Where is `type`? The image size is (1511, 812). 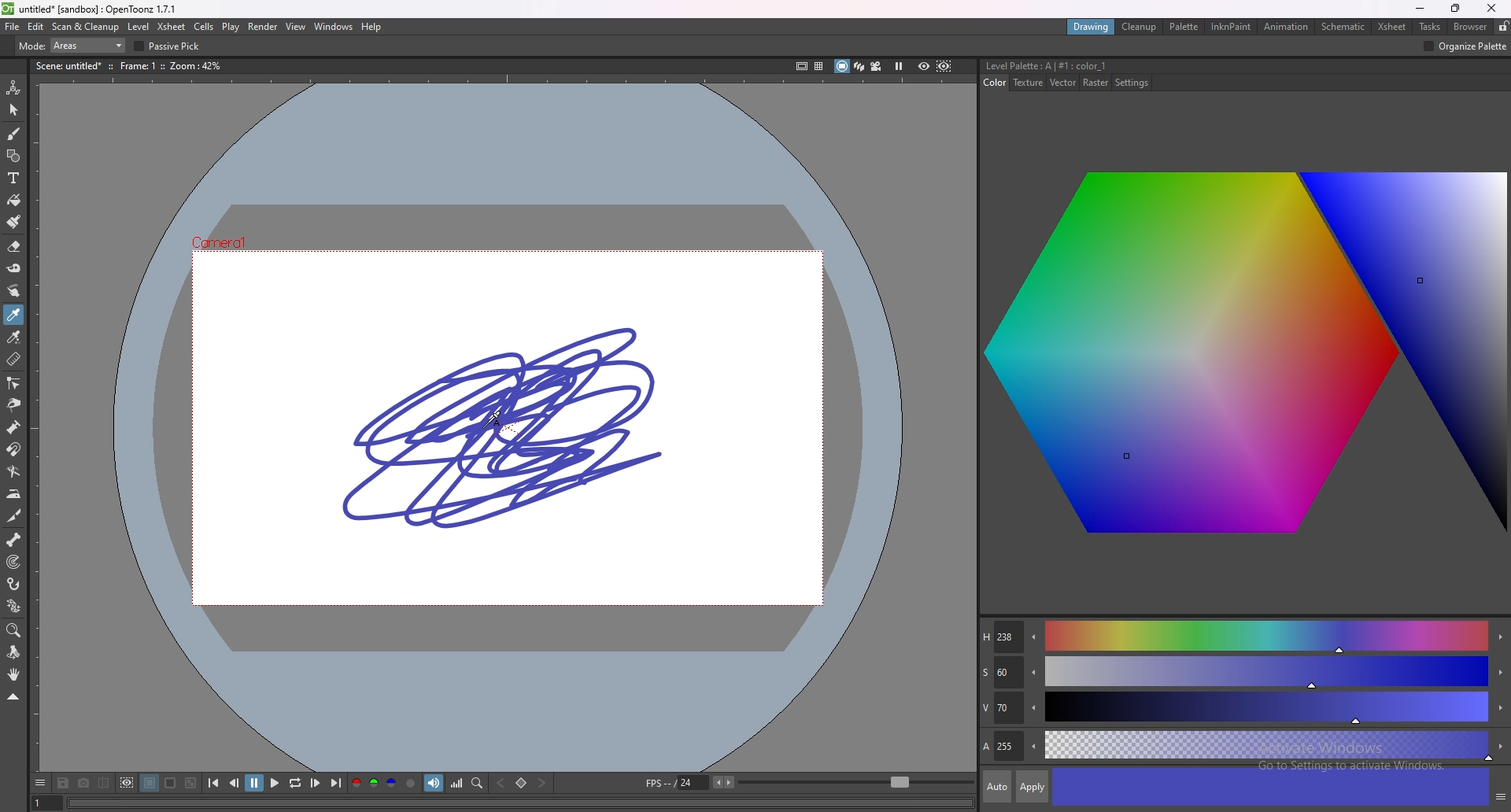 type is located at coordinates (66, 46).